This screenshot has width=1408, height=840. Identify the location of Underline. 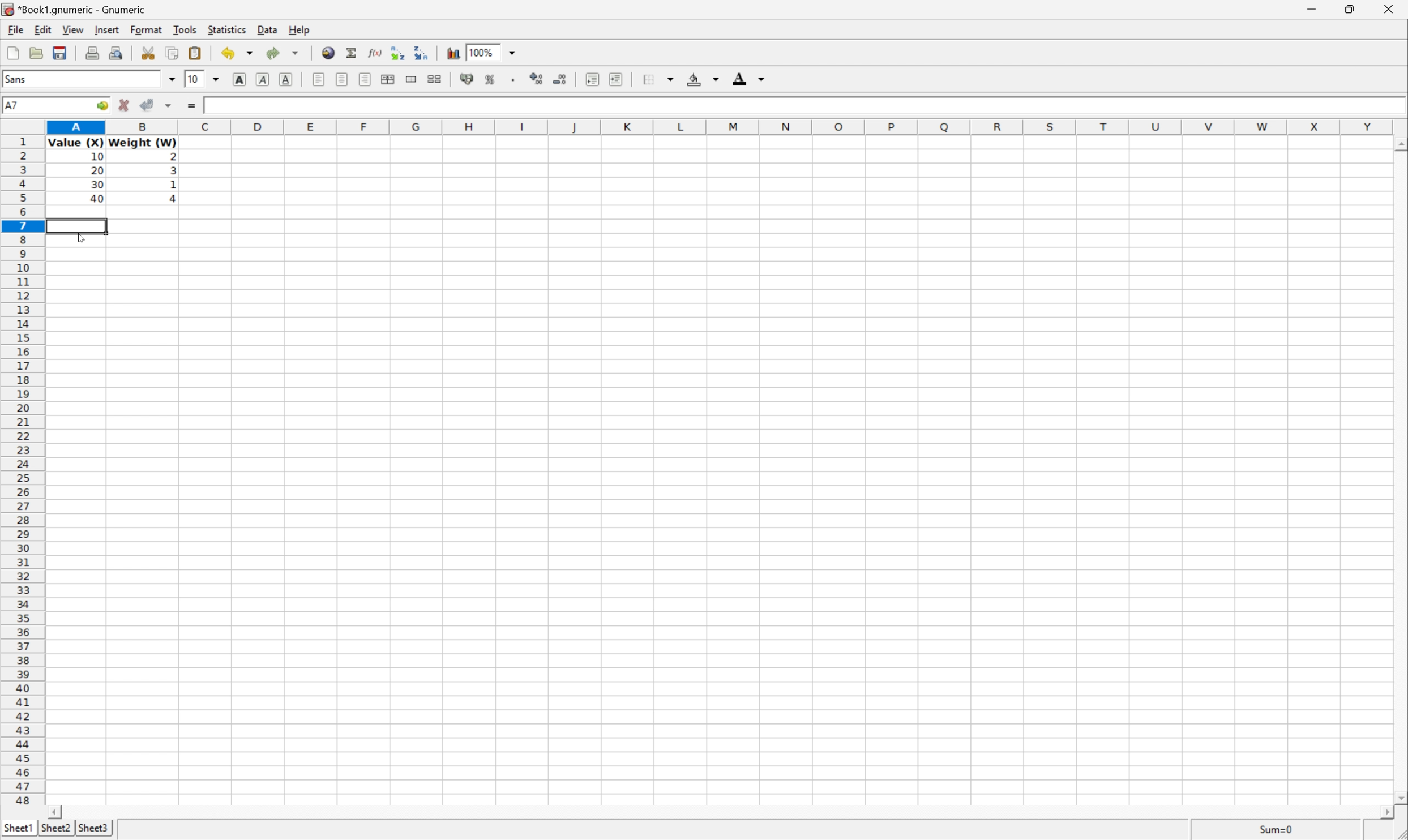
(288, 80).